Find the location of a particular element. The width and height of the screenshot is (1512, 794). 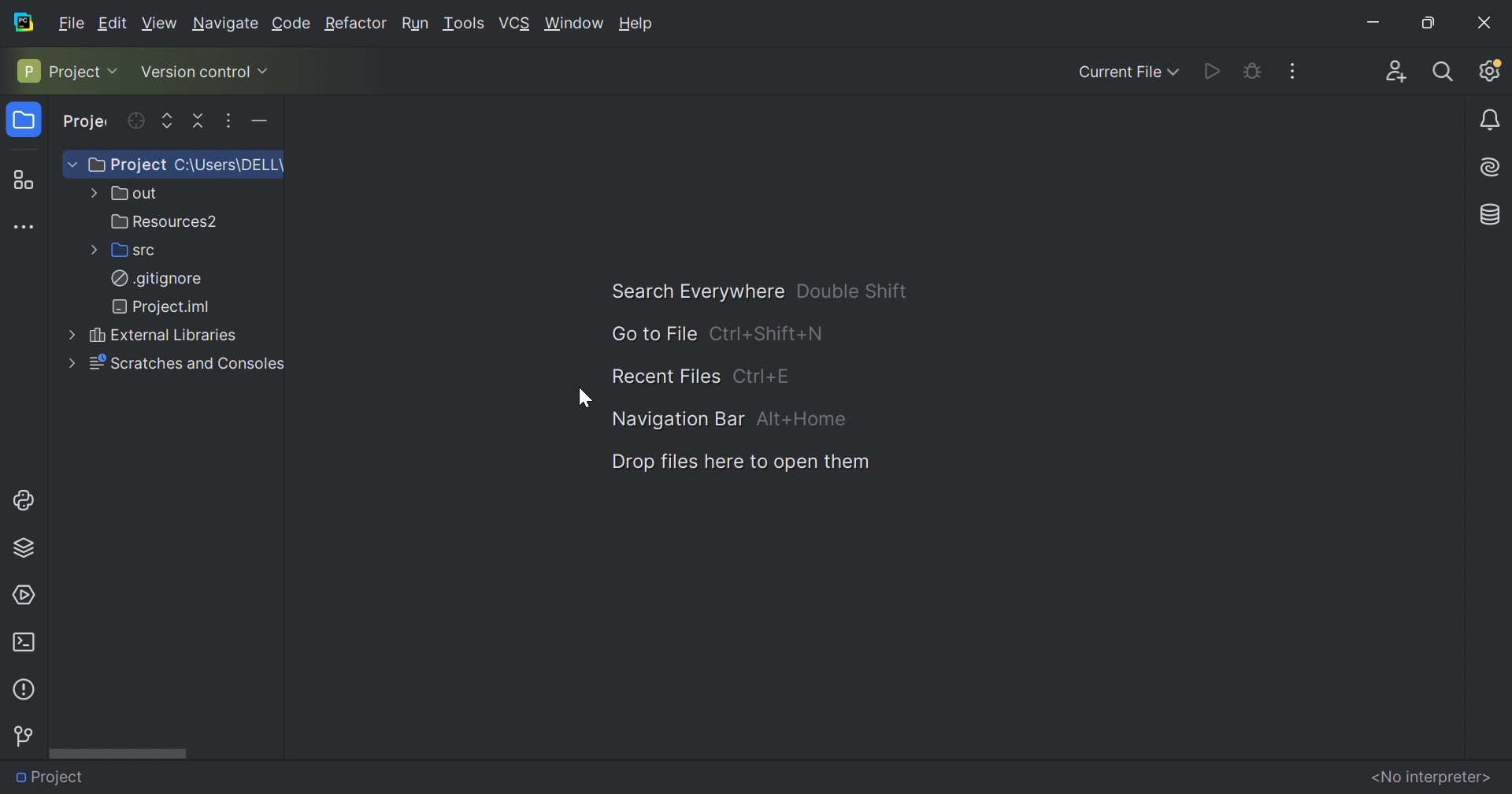

Window is located at coordinates (574, 24).